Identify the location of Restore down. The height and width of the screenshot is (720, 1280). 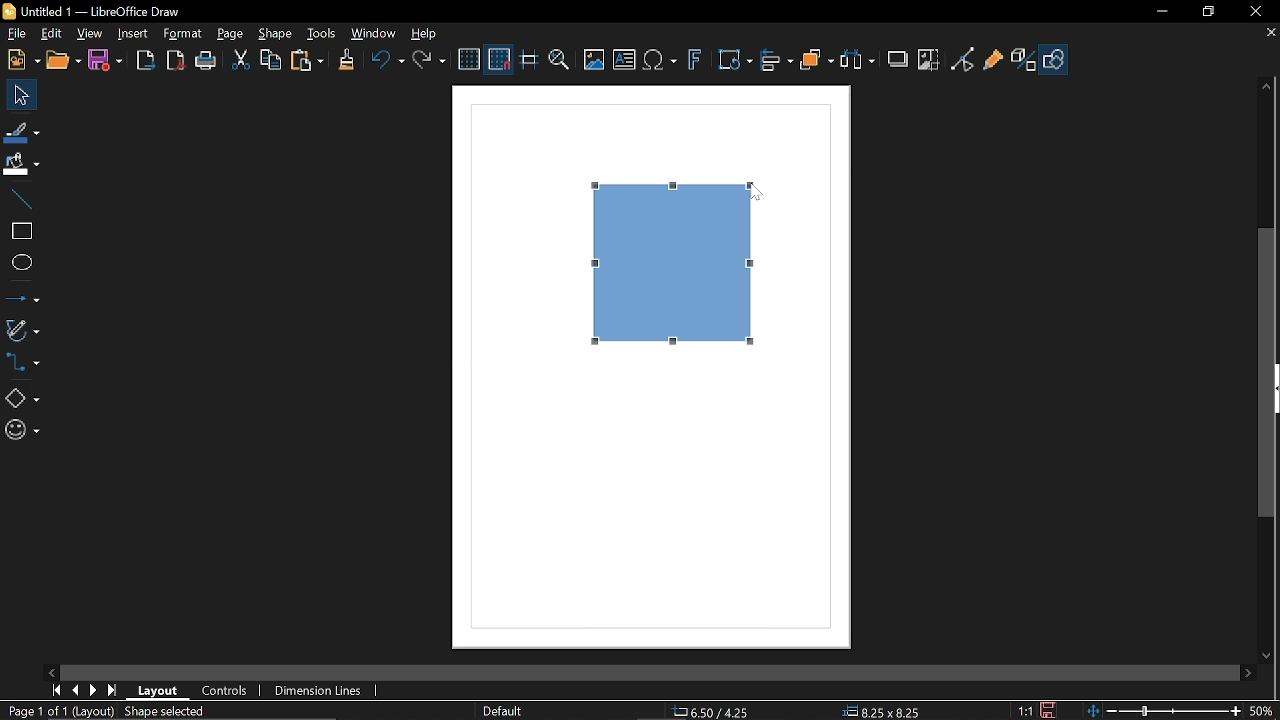
(1206, 13).